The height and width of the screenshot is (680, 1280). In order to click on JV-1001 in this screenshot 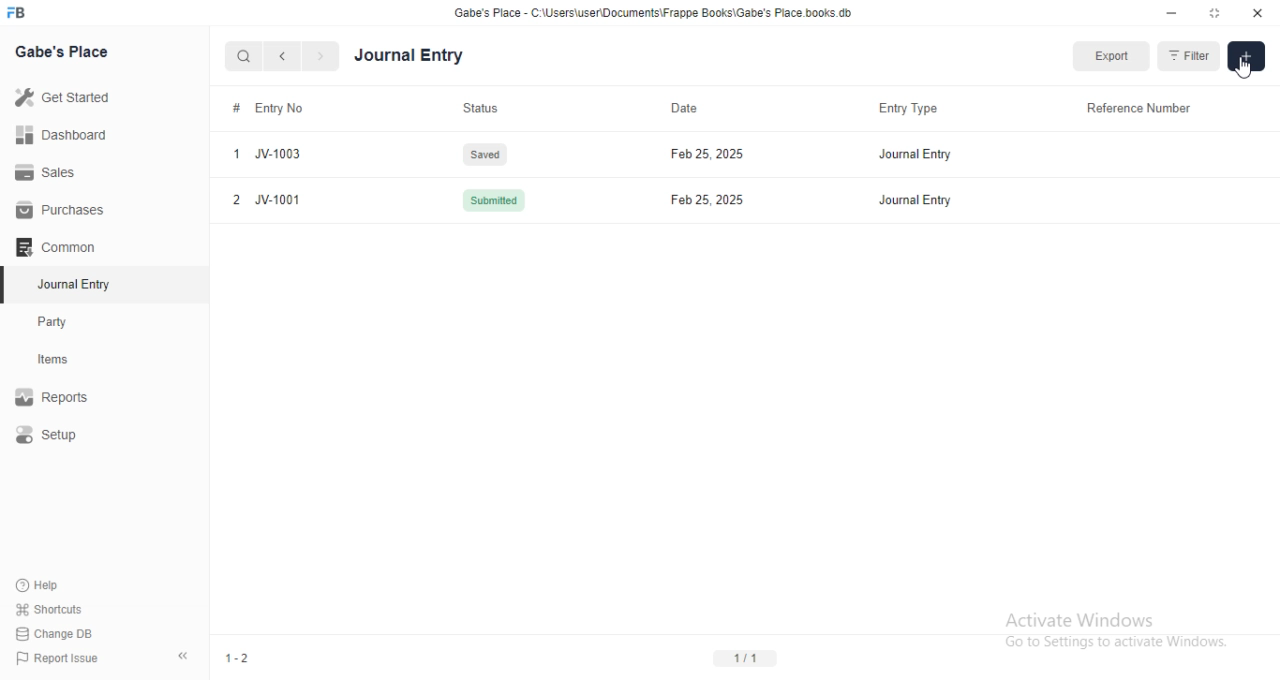, I will do `click(283, 198)`.